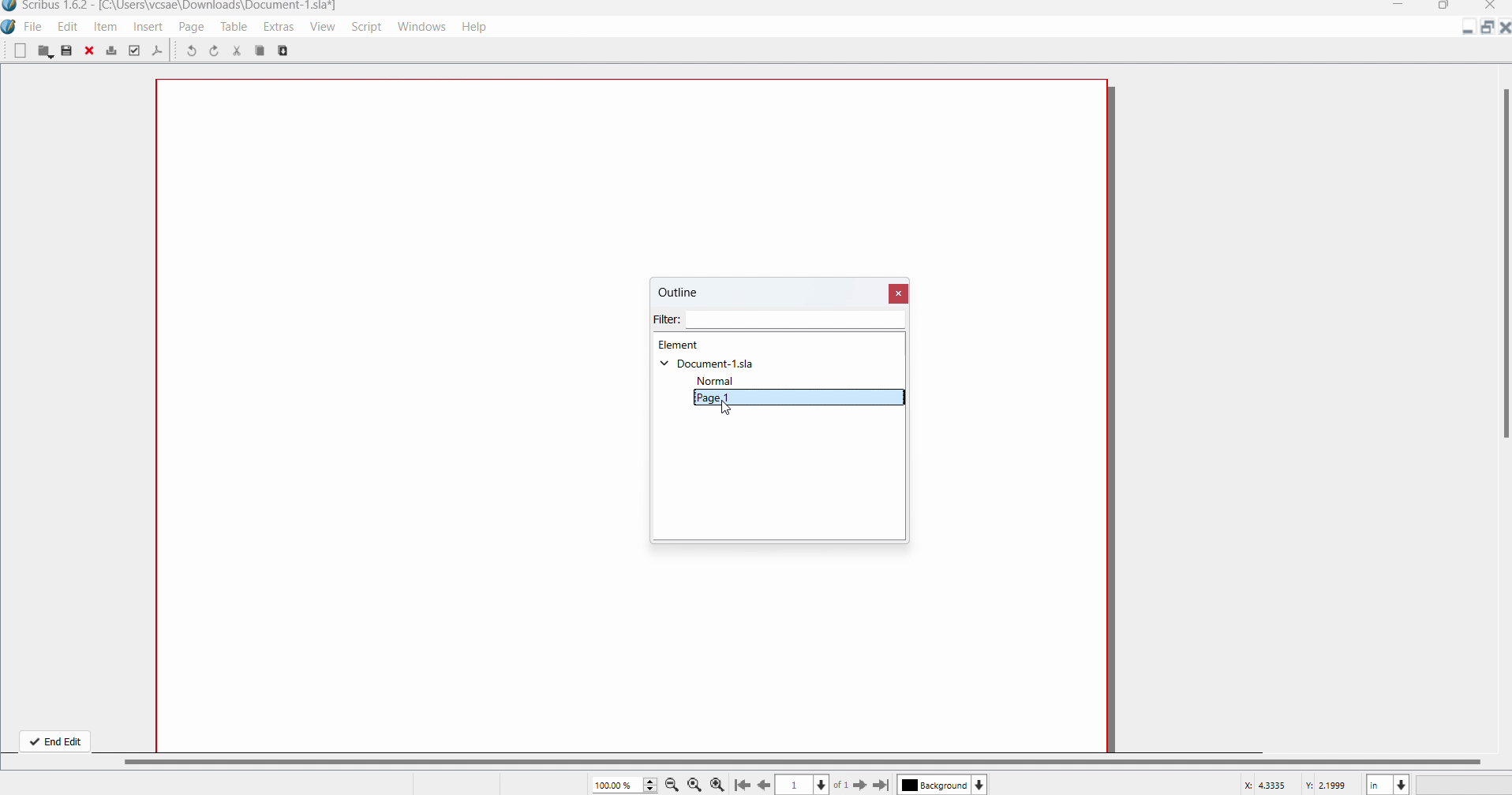 The image size is (1512, 795). Describe the element at coordinates (1503, 28) in the screenshot. I see `Close` at that location.